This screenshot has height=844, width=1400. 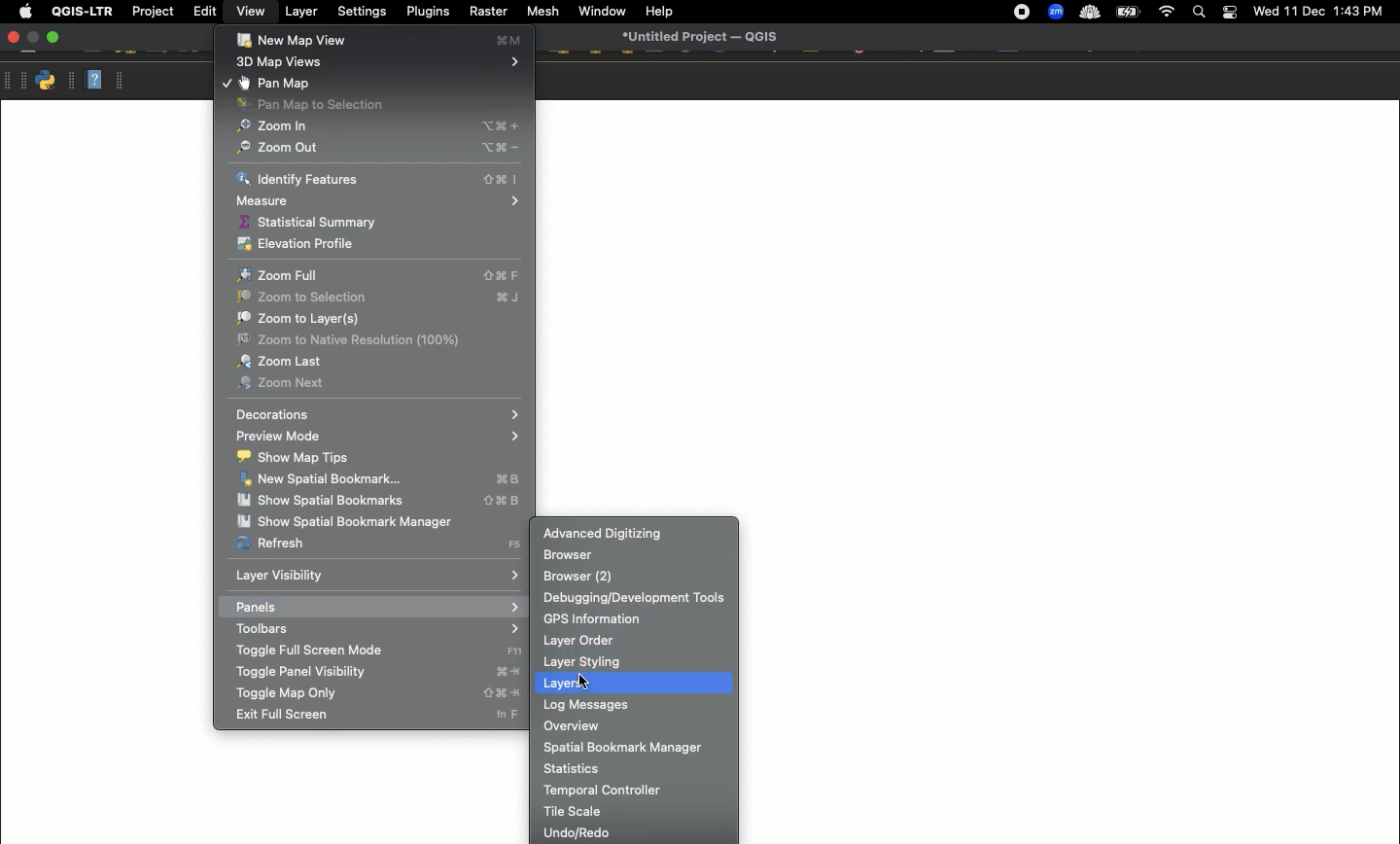 What do you see at coordinates (379, 544) in the screenshot?
I see `Refresh` at bounding box center [379, 544].